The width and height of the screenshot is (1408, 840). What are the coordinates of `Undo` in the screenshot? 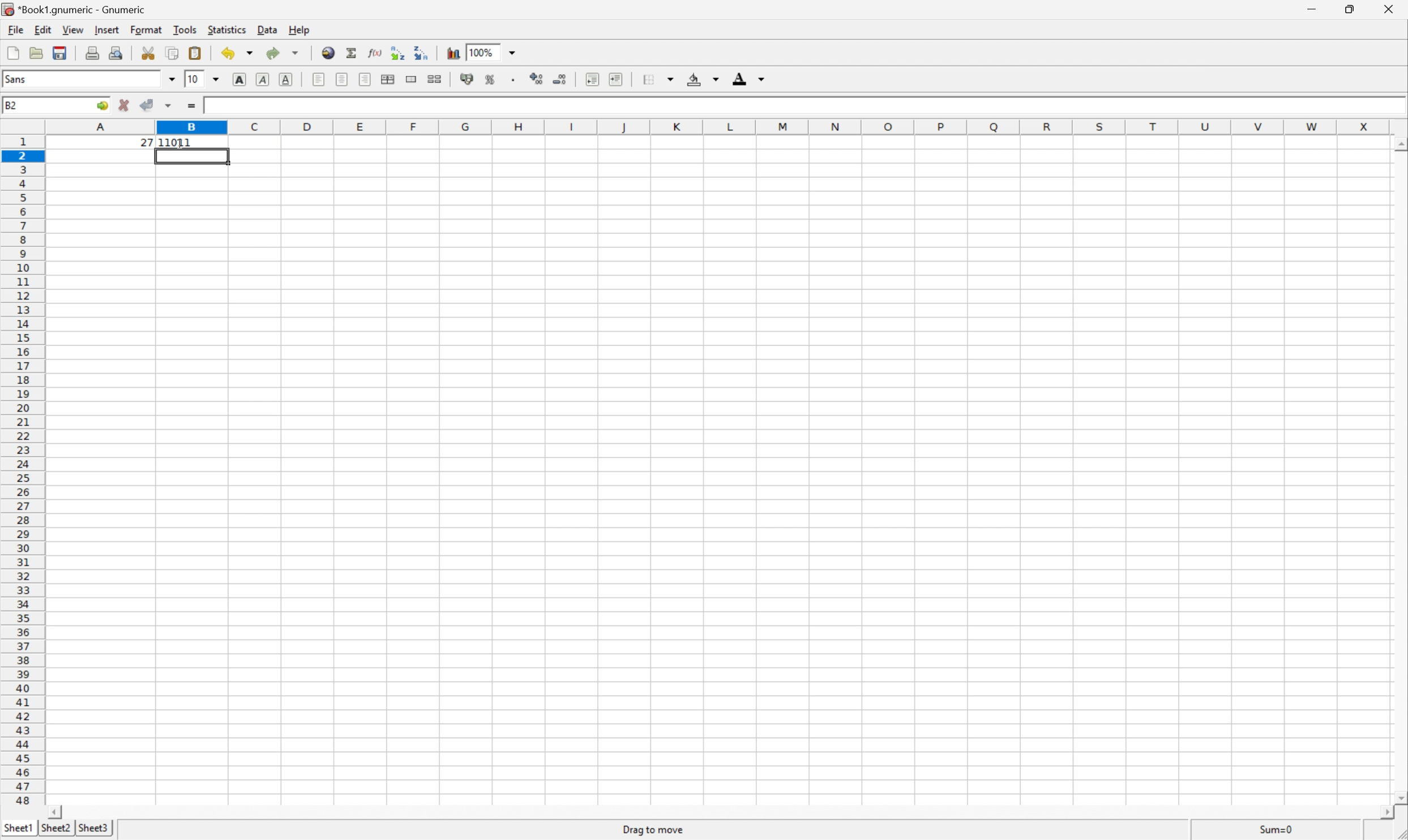 It's located at (238, 52).